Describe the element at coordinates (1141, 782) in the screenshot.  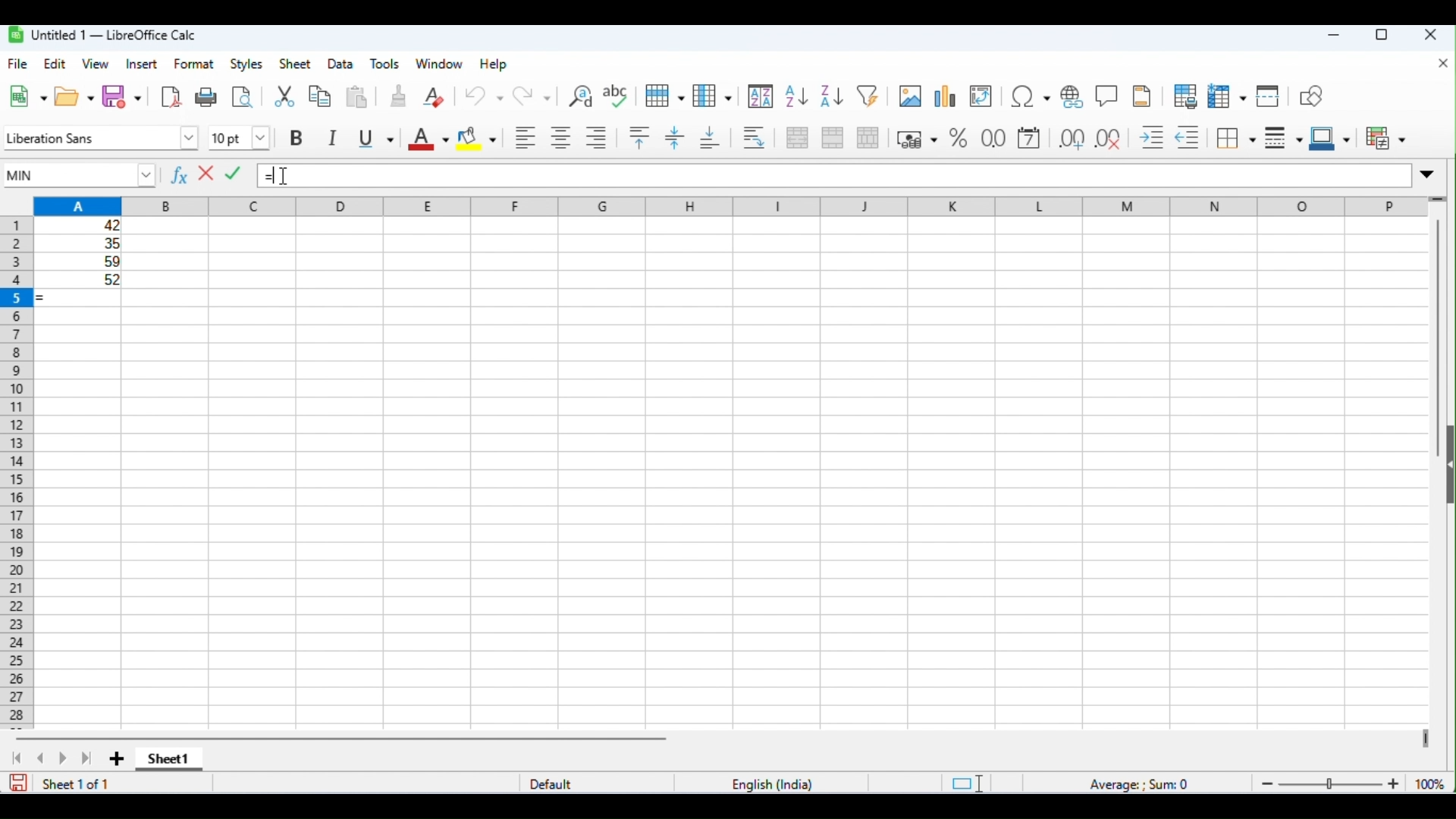
I see `formula` at that location.